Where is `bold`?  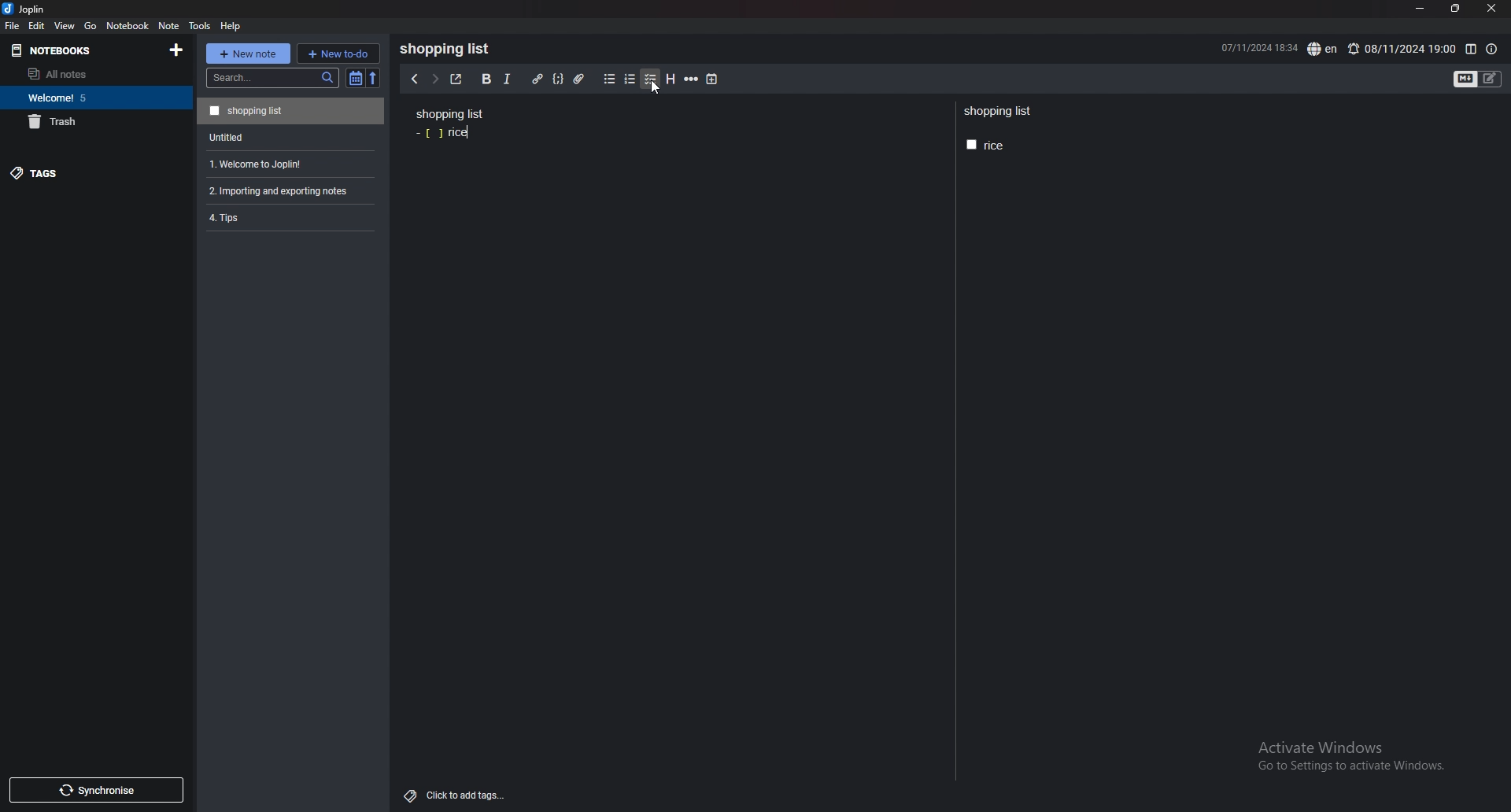
bold is located at coordinates (486, 79).